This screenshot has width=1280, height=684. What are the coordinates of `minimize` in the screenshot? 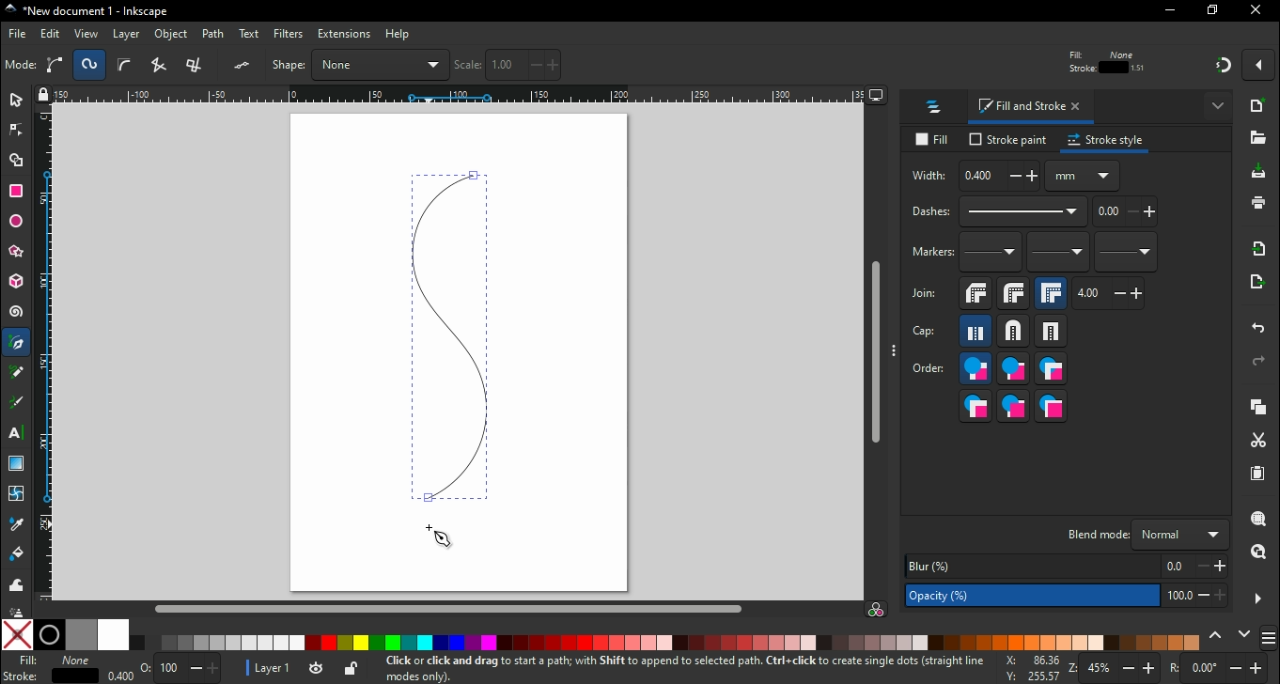 It's located at (1169, 11).